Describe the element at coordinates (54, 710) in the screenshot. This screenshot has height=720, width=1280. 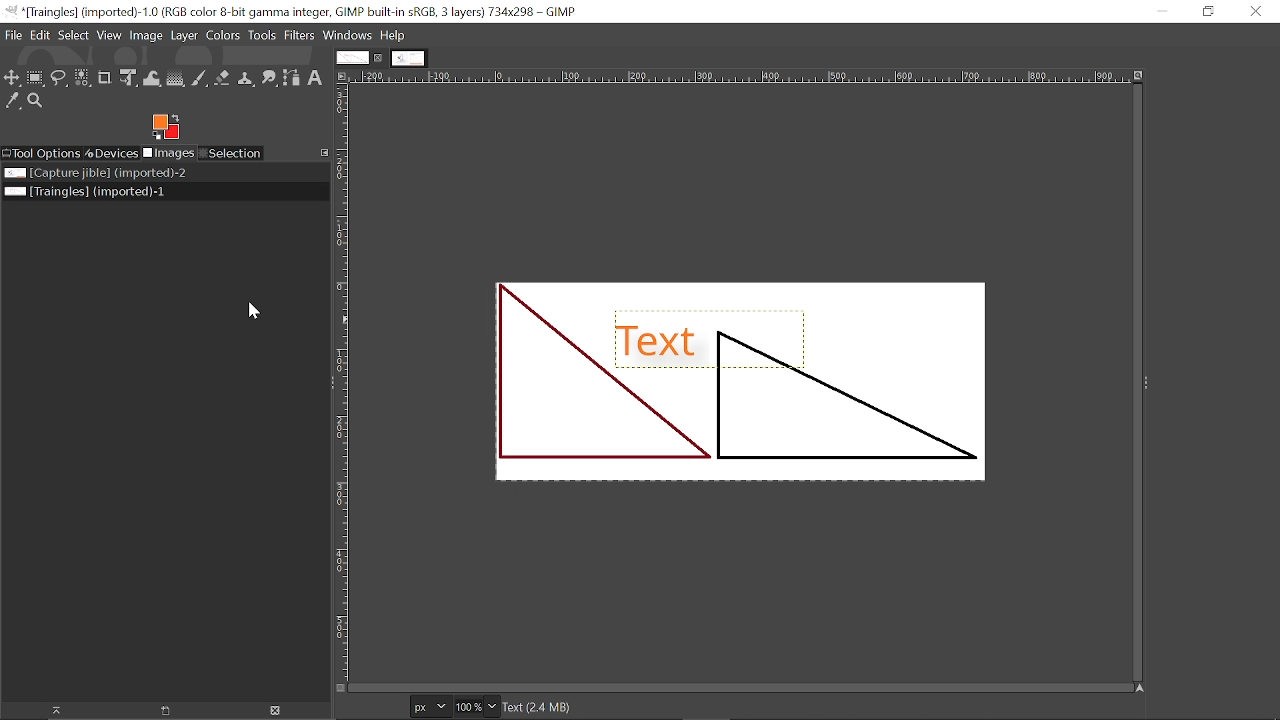
I see `Raise this image display` at that location.